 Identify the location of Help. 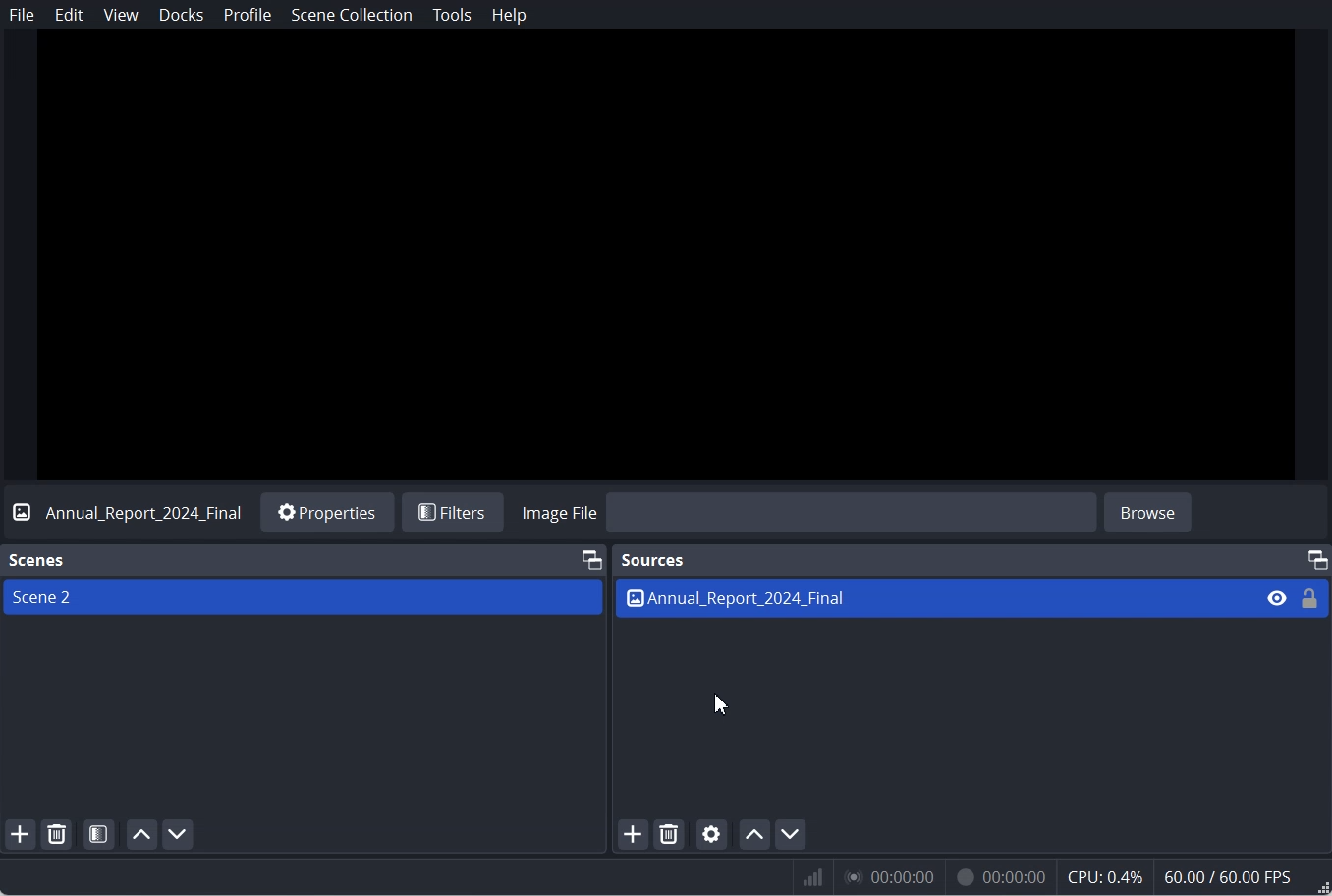
(510, 16).